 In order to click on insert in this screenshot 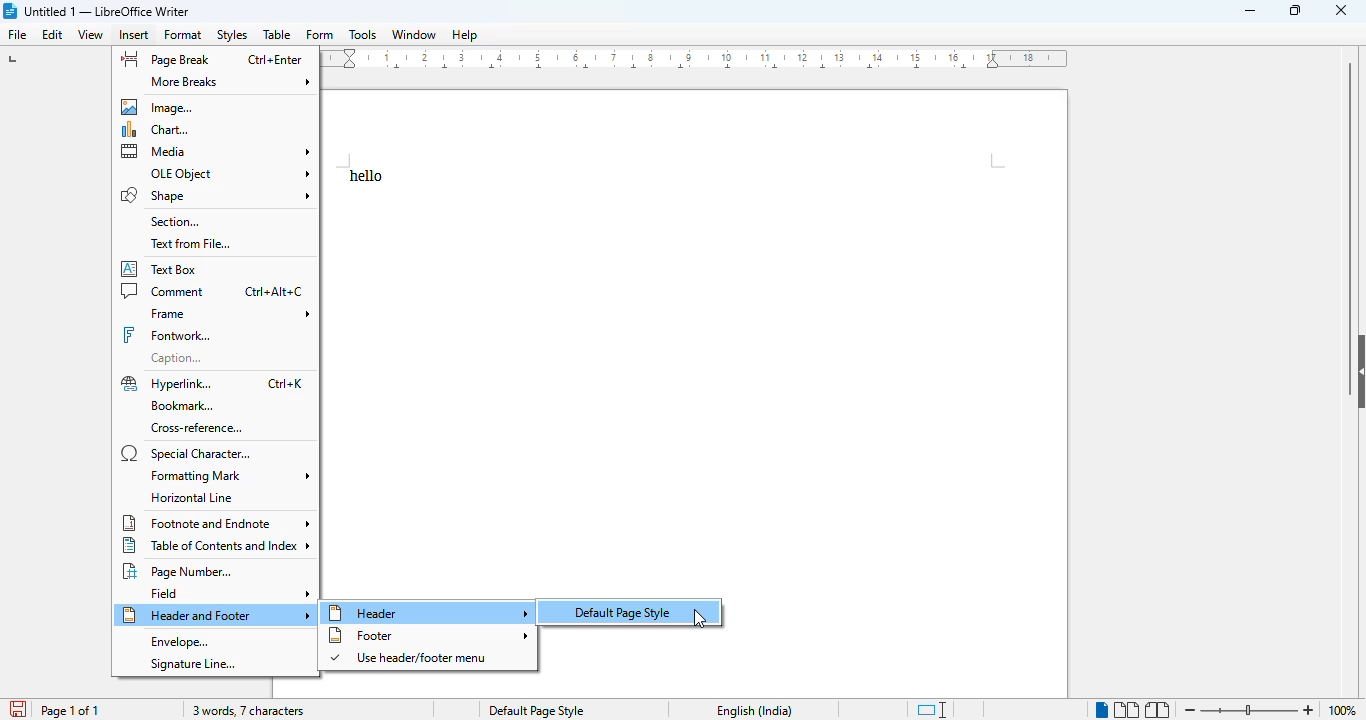, I will do `click(133, 34)`.